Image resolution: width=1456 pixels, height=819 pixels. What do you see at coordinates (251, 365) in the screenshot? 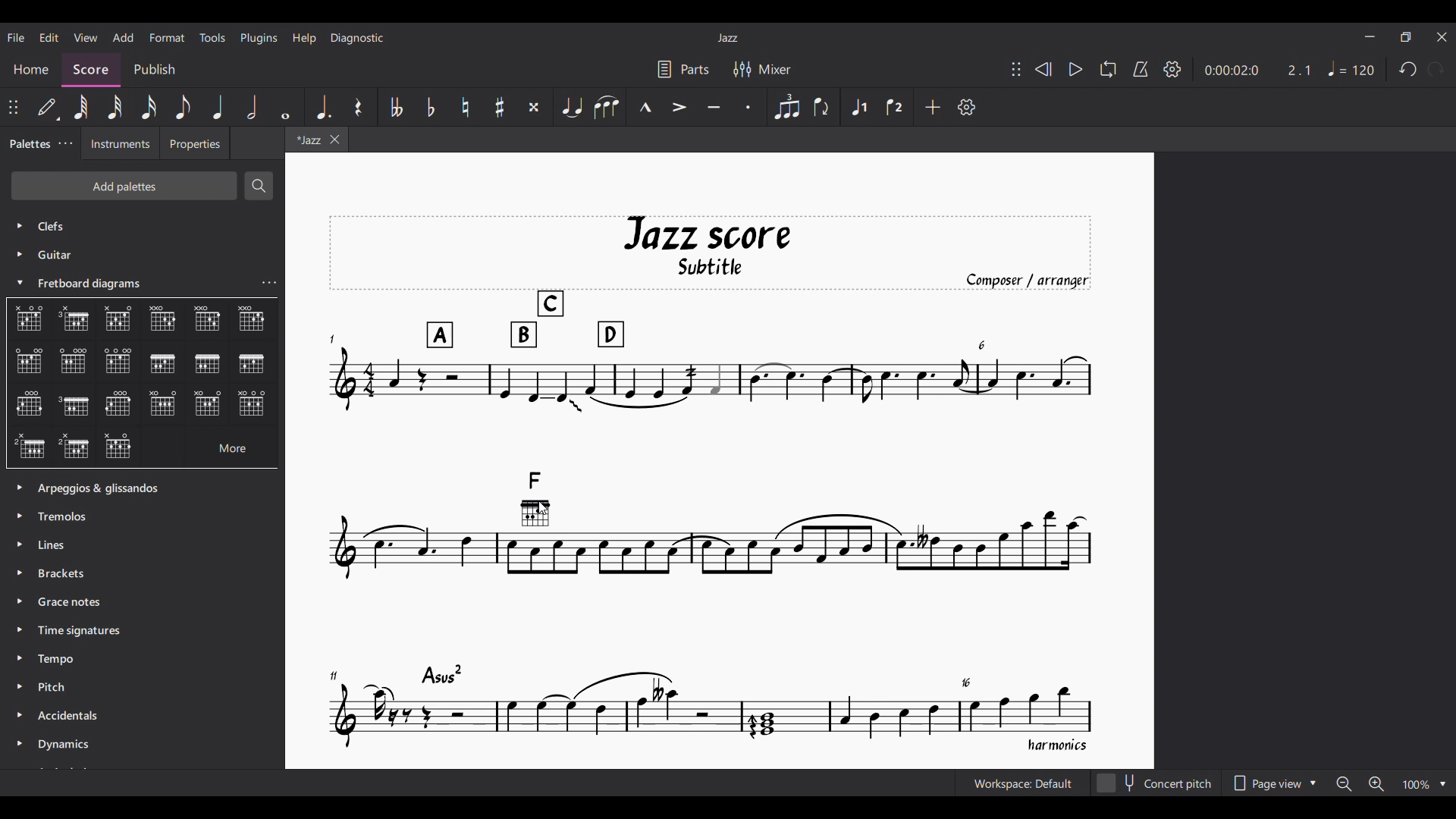
I see `Chart 11` at bounding box center [251, 365].